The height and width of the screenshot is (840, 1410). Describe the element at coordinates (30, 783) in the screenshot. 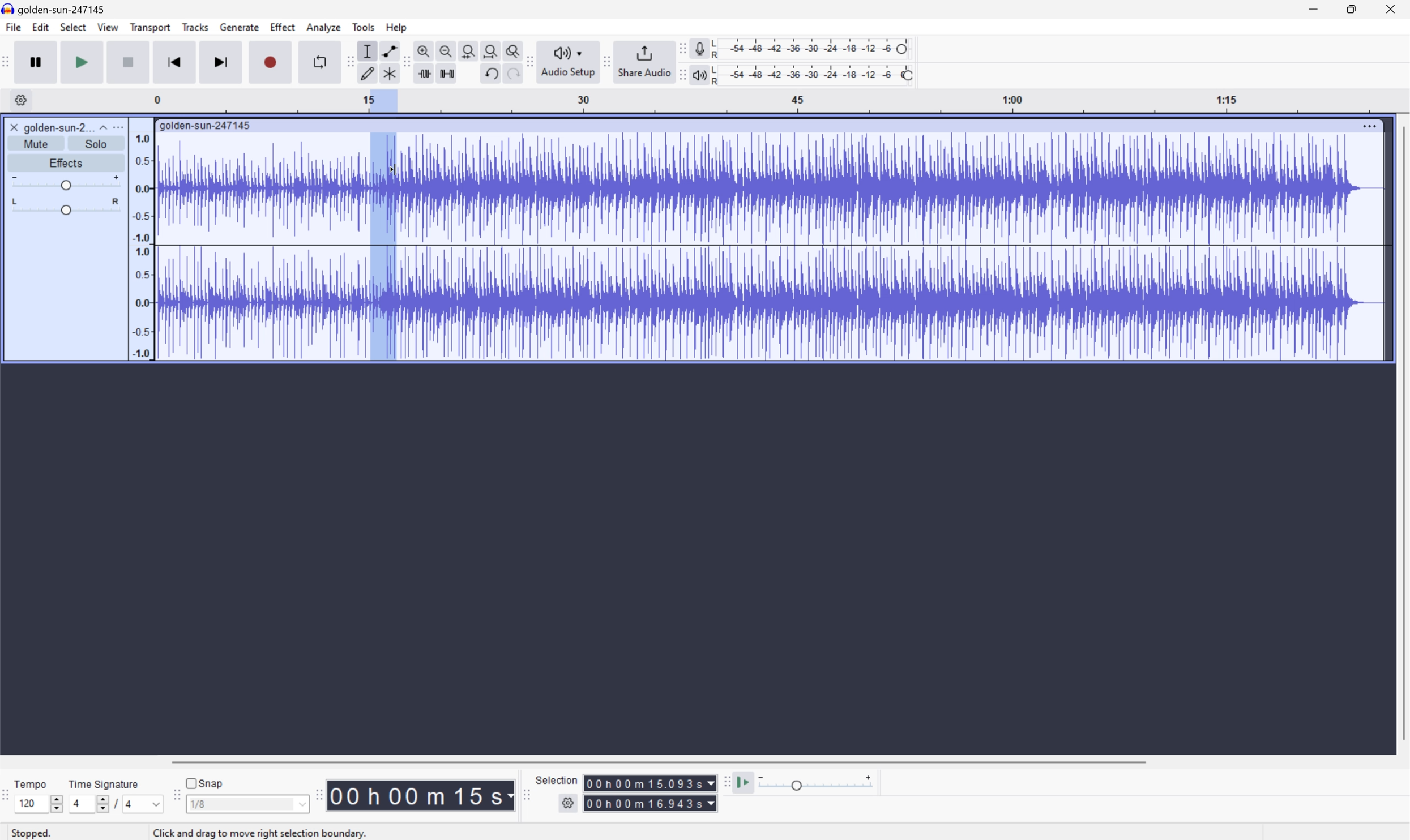

I see `Tempo` at that location.